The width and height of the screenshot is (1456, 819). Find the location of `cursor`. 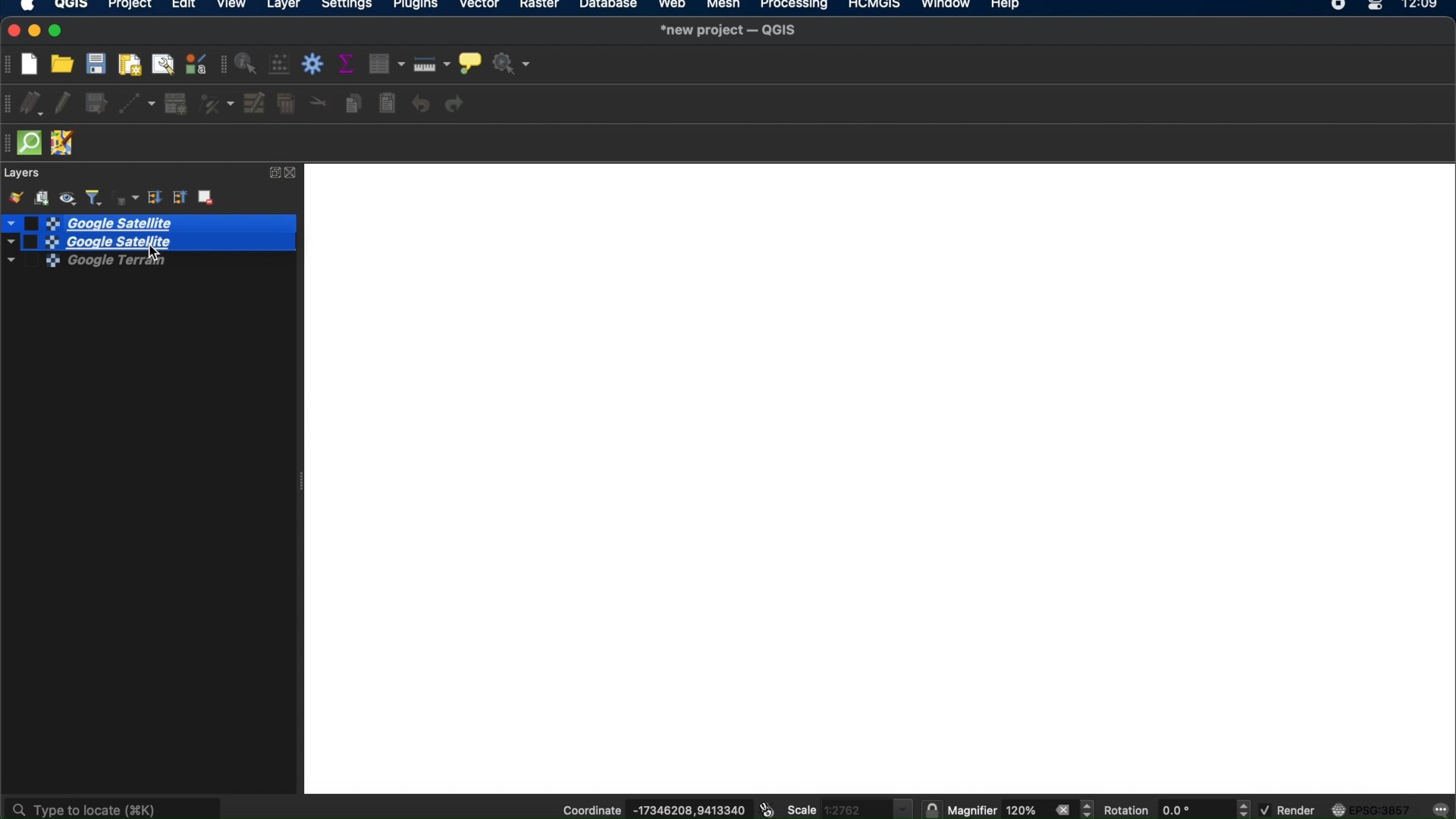

cursor is located at coordinates (156, 253).